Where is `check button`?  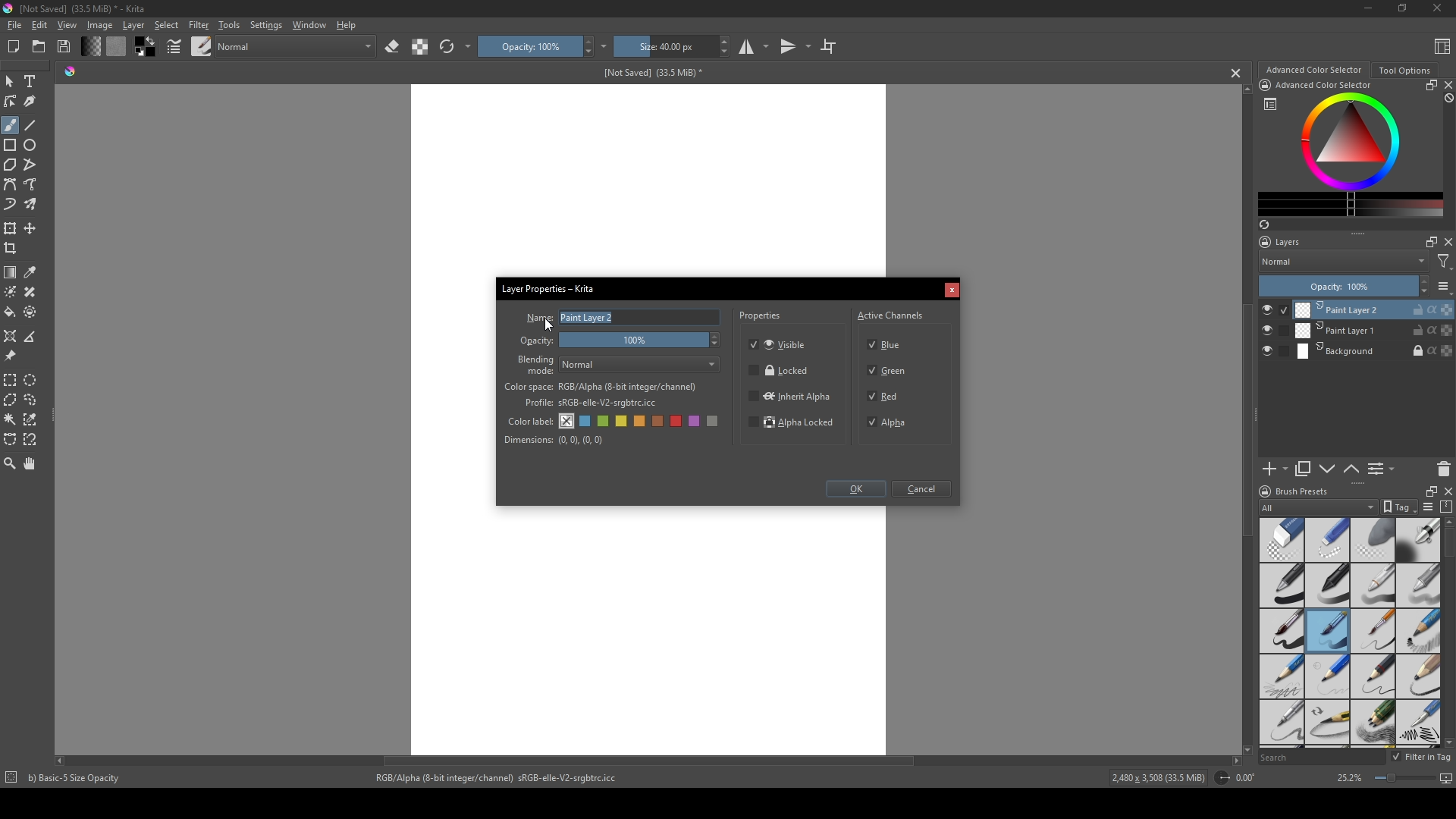
check button is located at coordinates (1274, 352).